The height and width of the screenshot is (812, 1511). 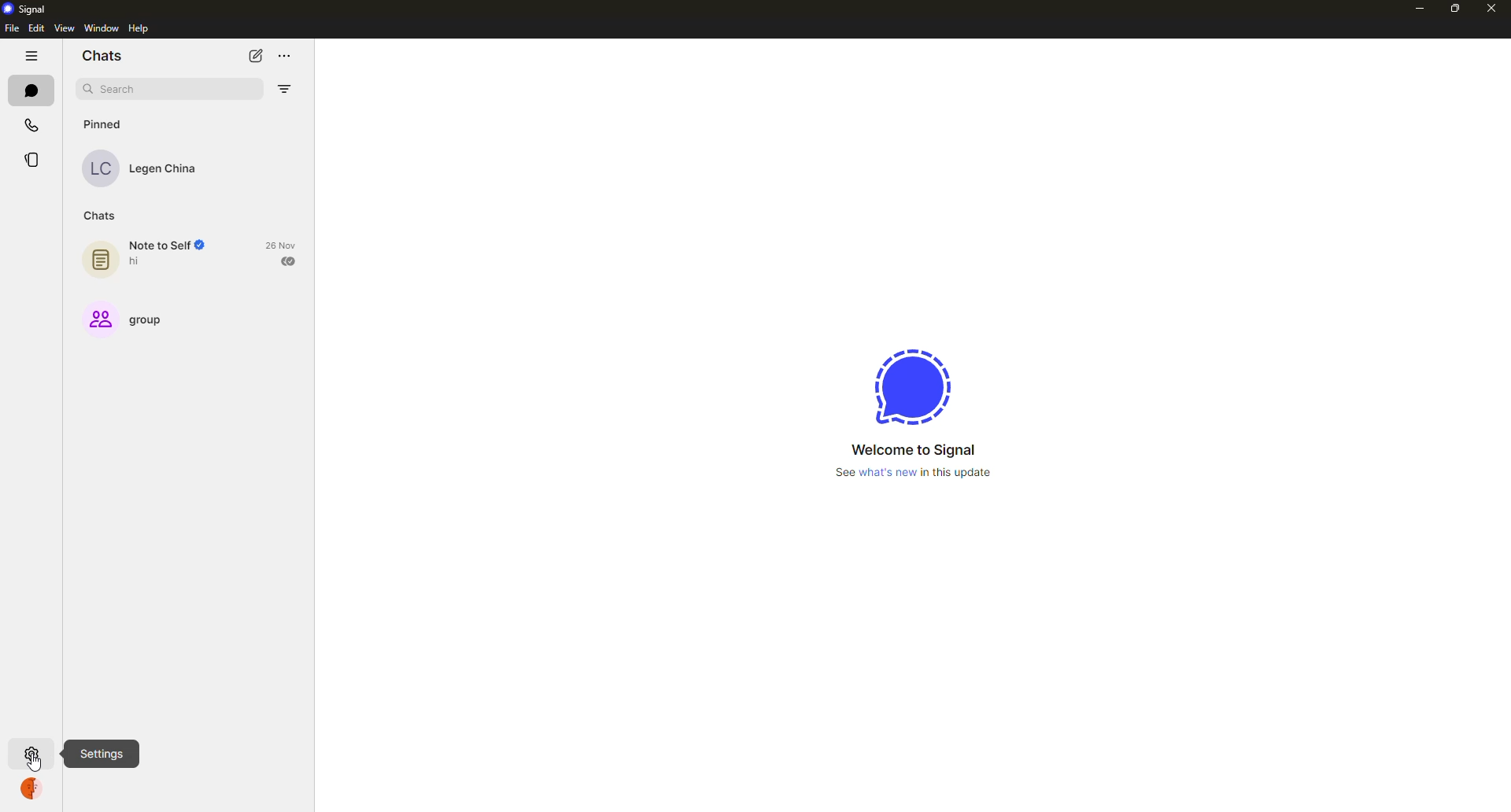 What do you see at coordinates (64, 28) in the screenshot?
I see `view` at bounding box center [64, 28].